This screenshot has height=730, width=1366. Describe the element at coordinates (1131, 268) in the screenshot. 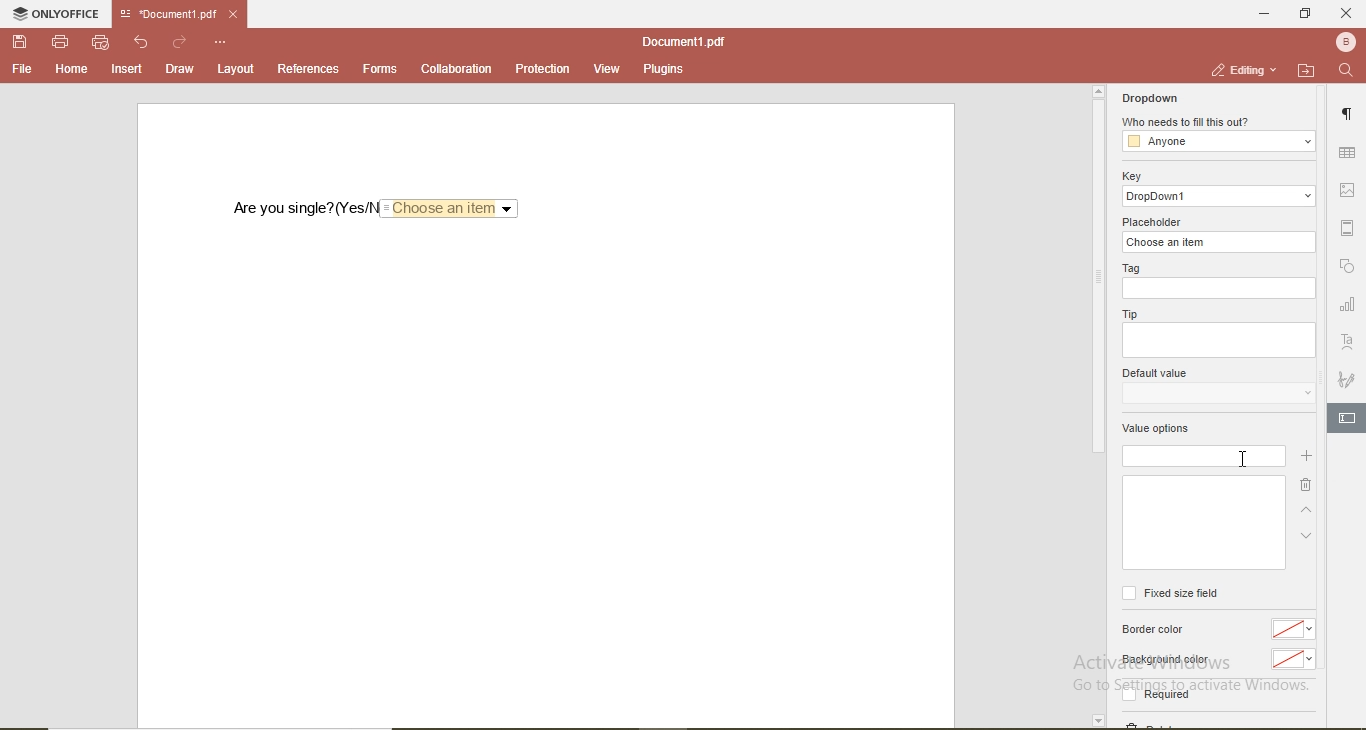

I see `tag` at that location.